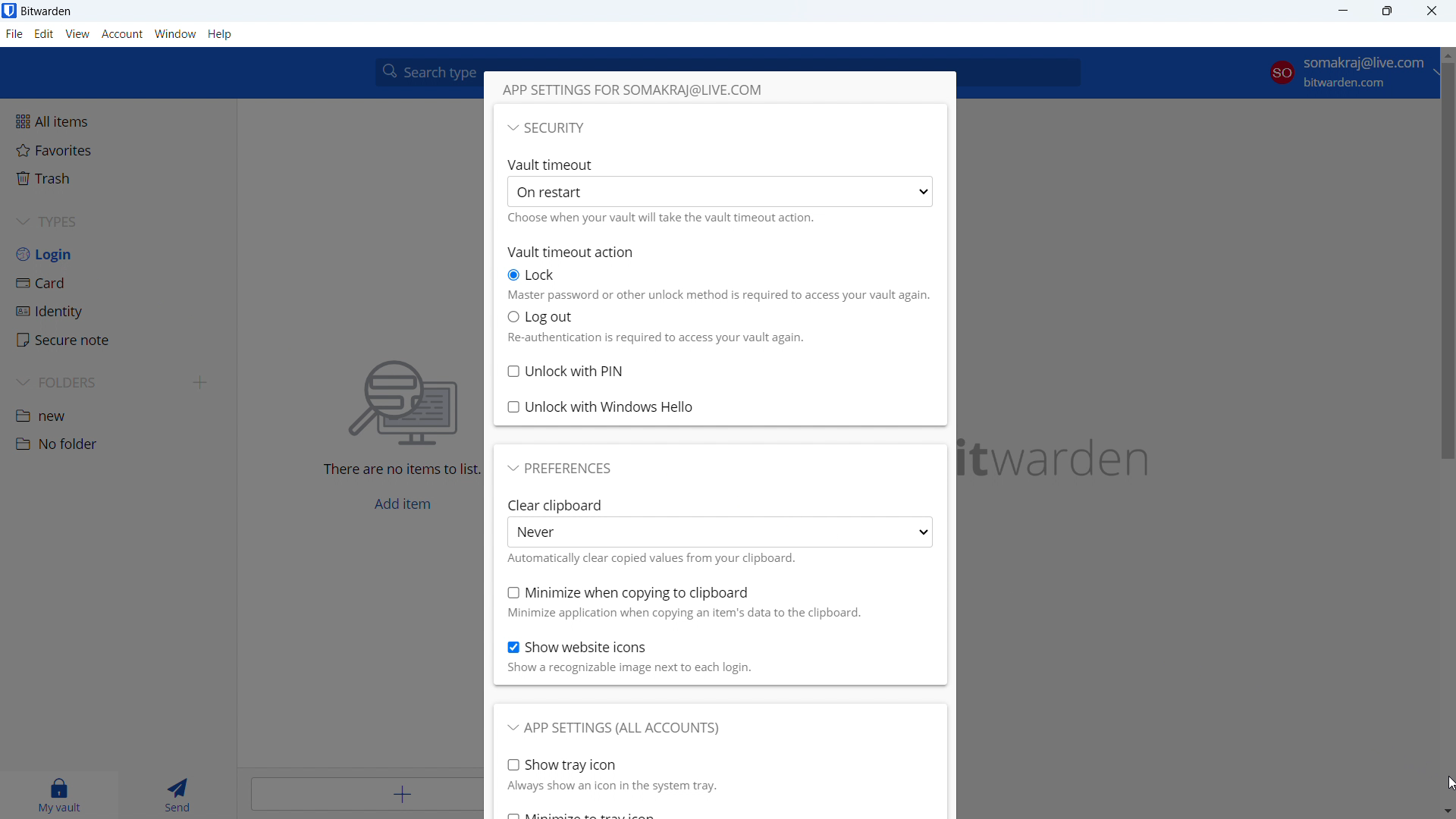 This screenshot has width=1456, height=819. What do you see at coordinates (116, 149) in the screenshot?
I see `favorites` at bounding box center [116, 149].